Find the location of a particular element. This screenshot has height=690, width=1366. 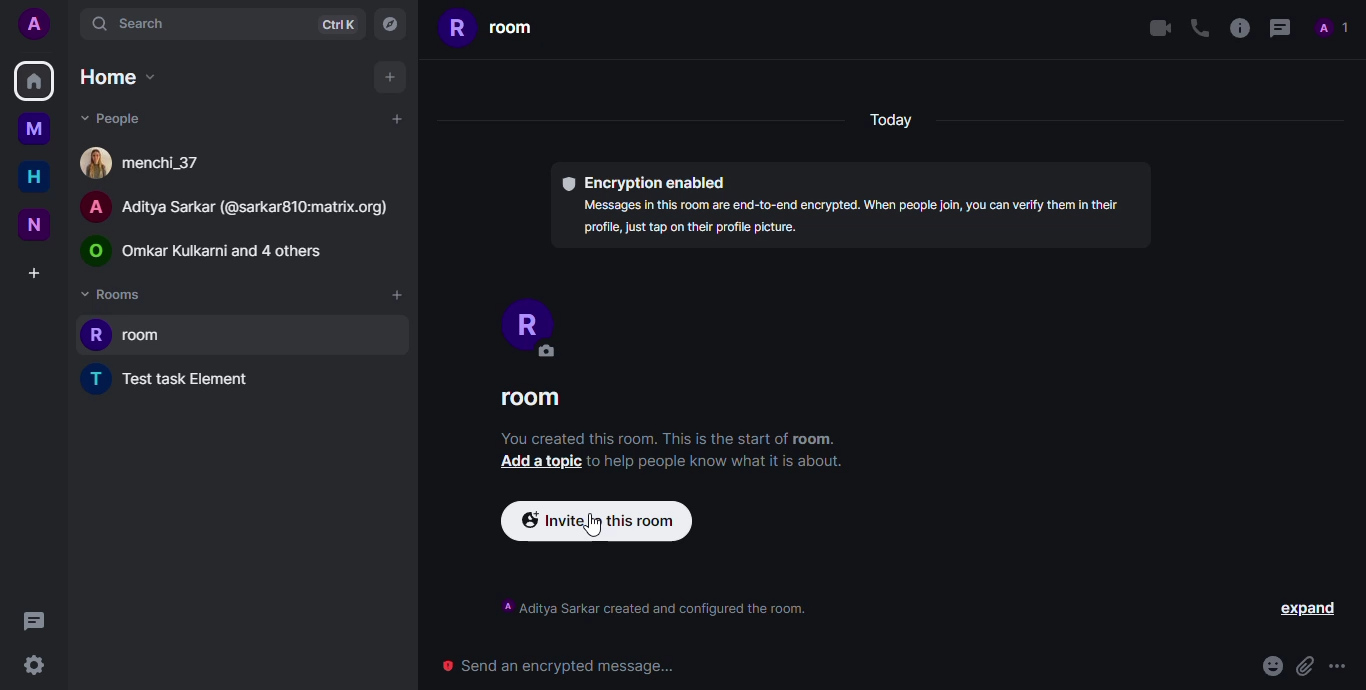

video call is located at coordinates (1157, 28).